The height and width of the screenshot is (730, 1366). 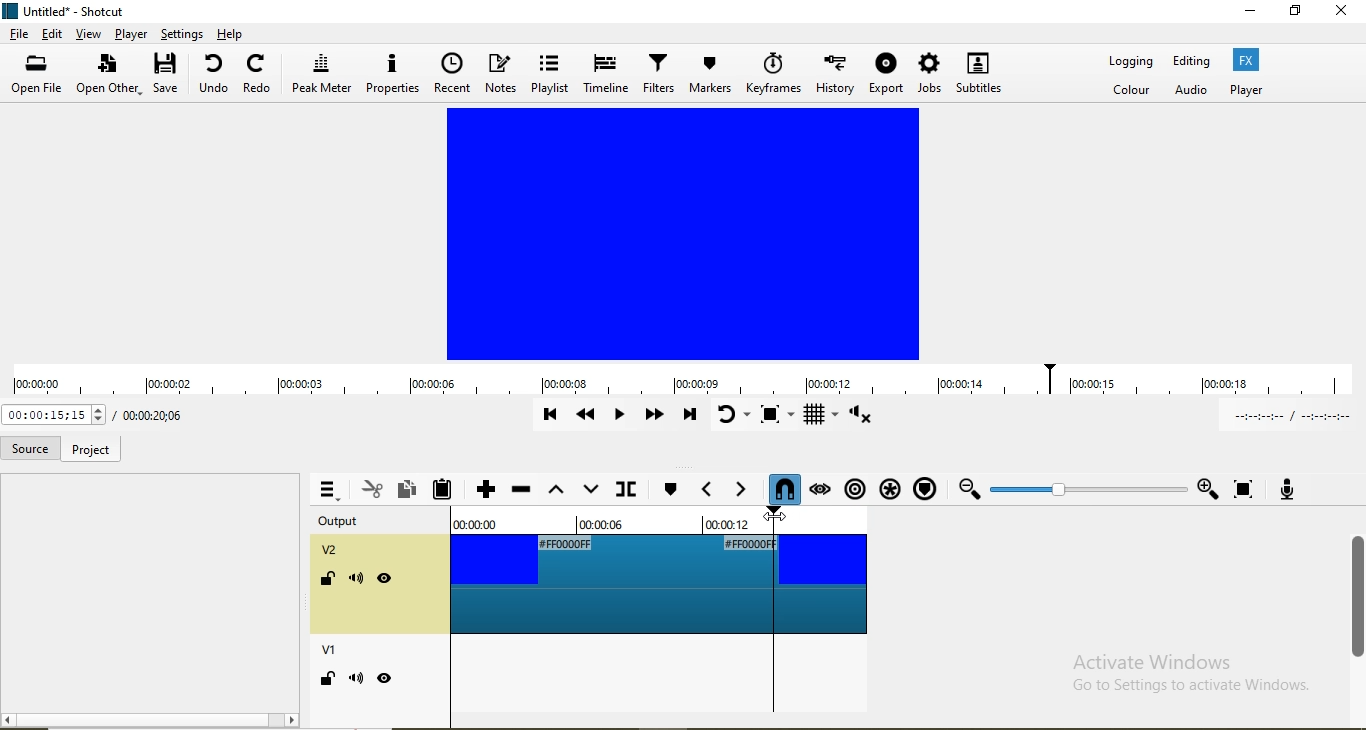 What do you see at coordinates (372, 490) in the screenshot?
I see `Cut` at bounding box center [372, 490].